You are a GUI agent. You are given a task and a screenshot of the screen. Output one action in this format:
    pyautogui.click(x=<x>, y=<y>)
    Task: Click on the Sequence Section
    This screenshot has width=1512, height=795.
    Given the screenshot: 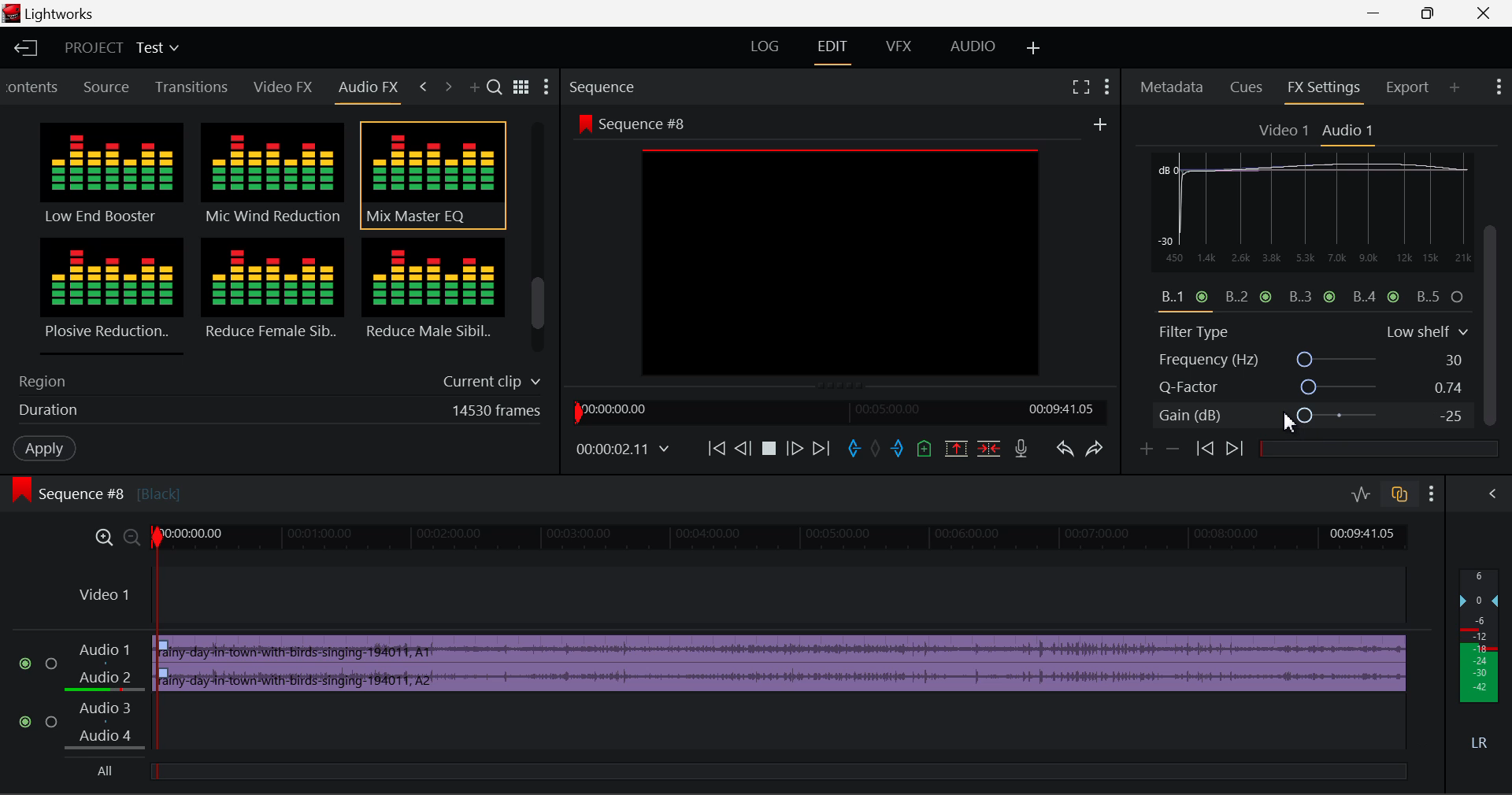 What is the action you would take?
    pyautogui.click(x=649, y=86)
    